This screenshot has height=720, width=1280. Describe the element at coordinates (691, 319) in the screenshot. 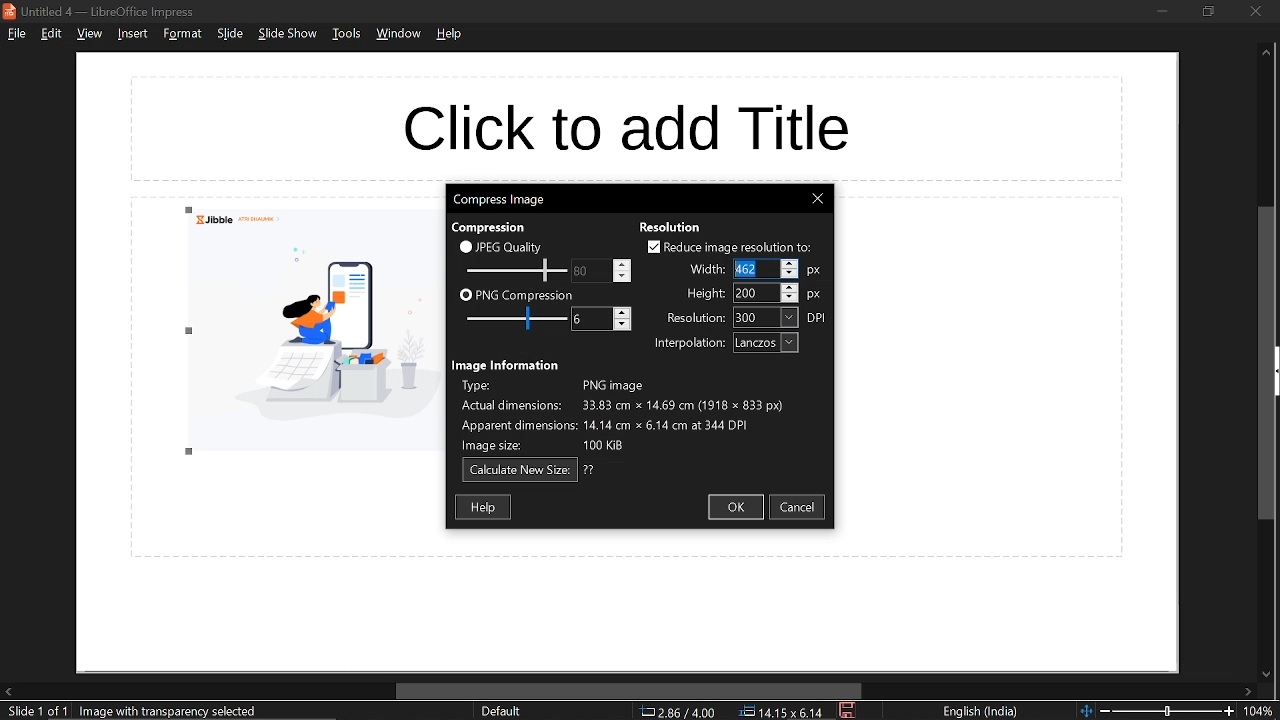

I see `resolution` at that location.